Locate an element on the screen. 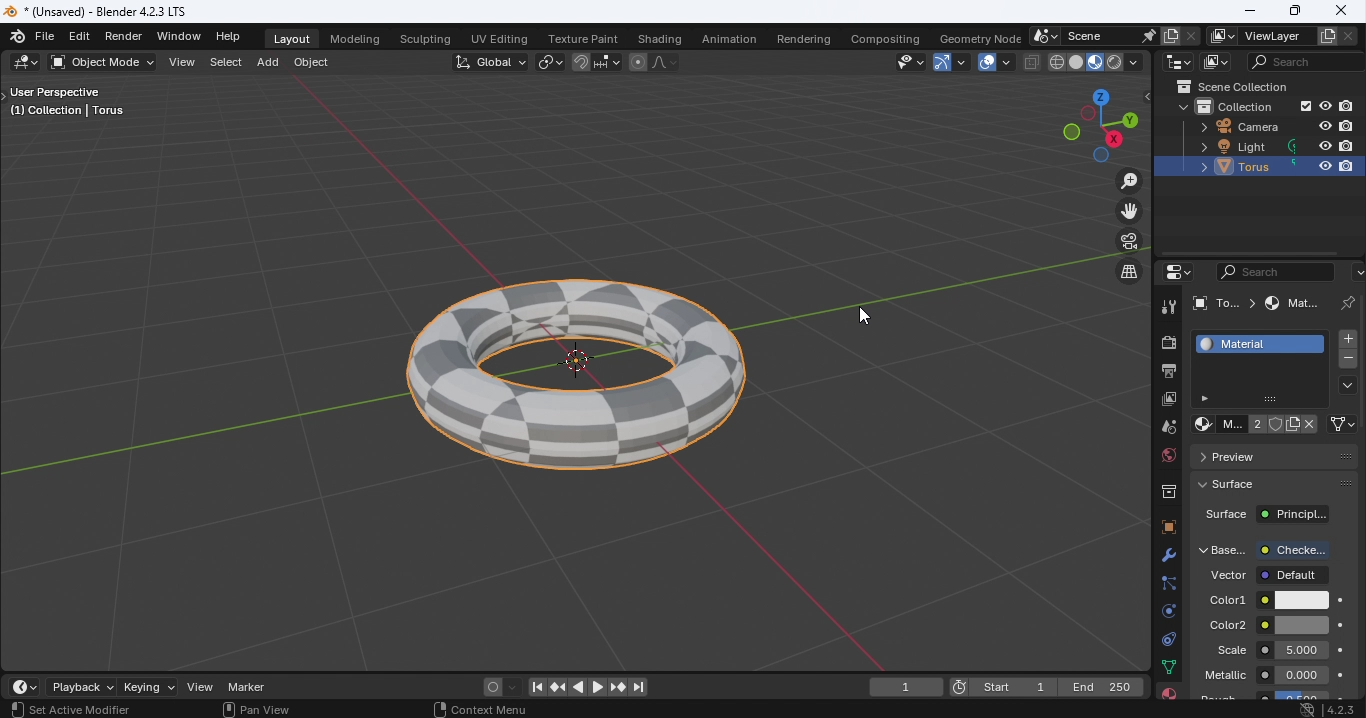  Context menu is located at coordinates (481, 709).